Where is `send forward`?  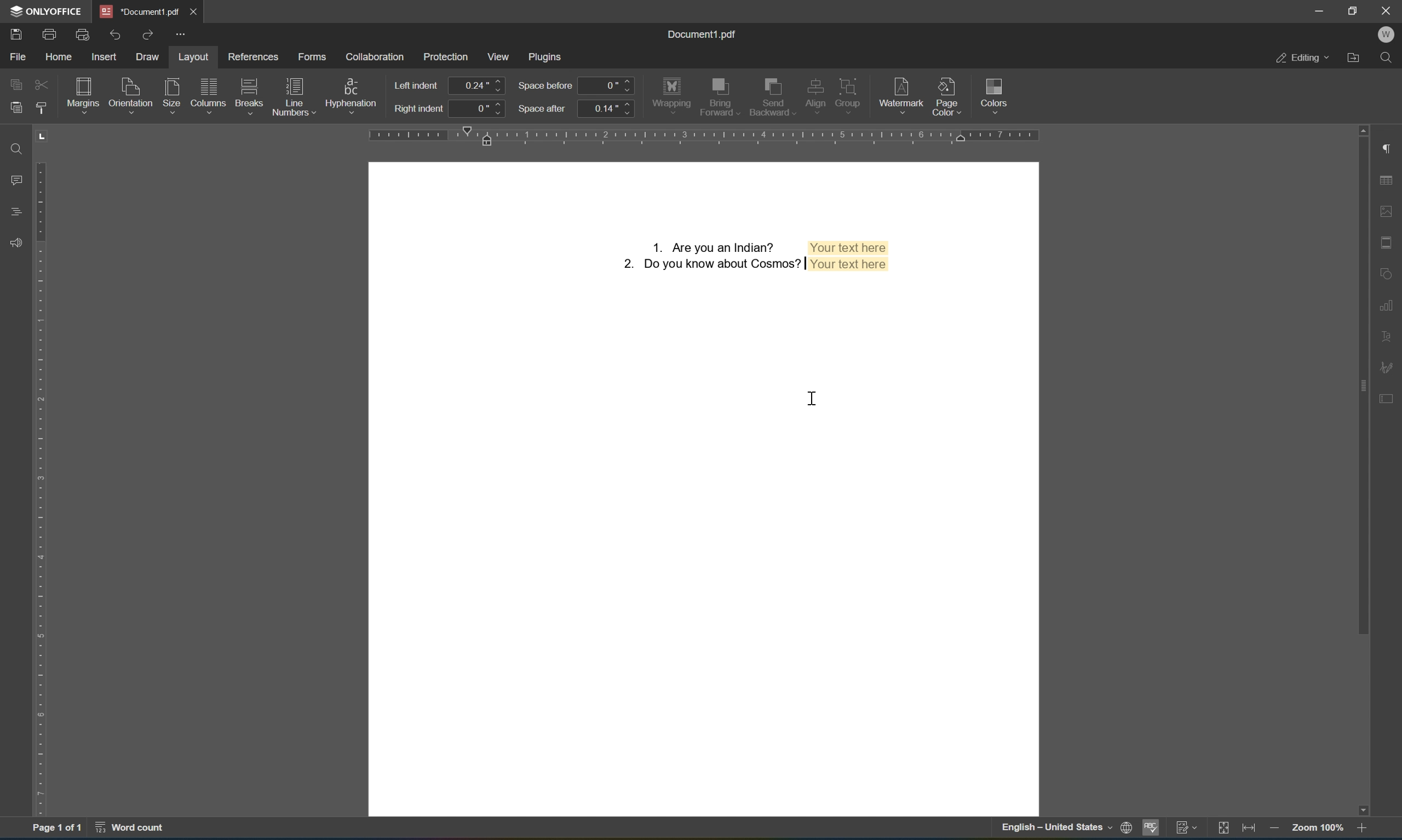 send forward is located at coordinates (721, 97).